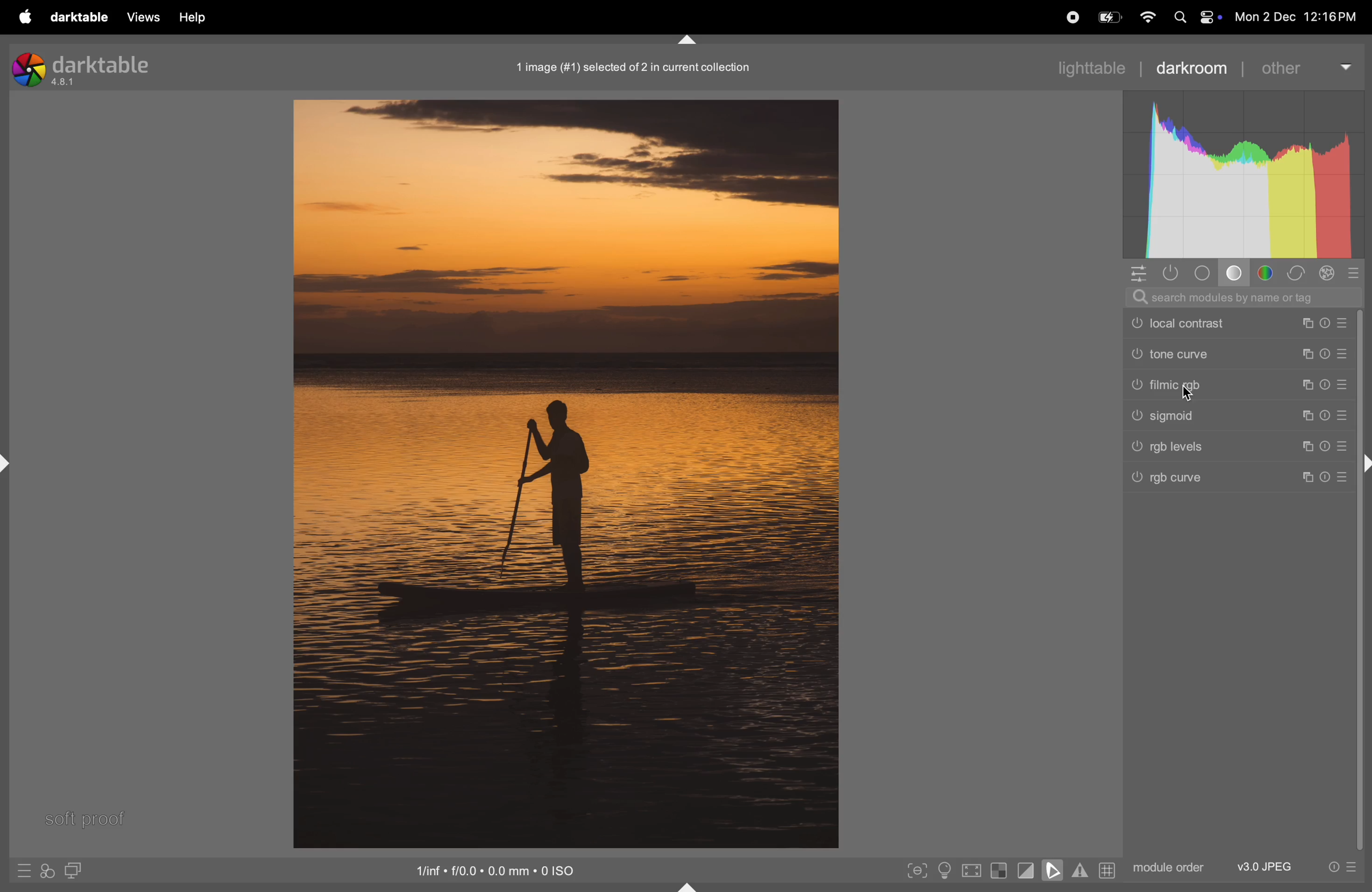 The width and height of the screenshot is (1372, 892). I want to click on , so click(566, 475).